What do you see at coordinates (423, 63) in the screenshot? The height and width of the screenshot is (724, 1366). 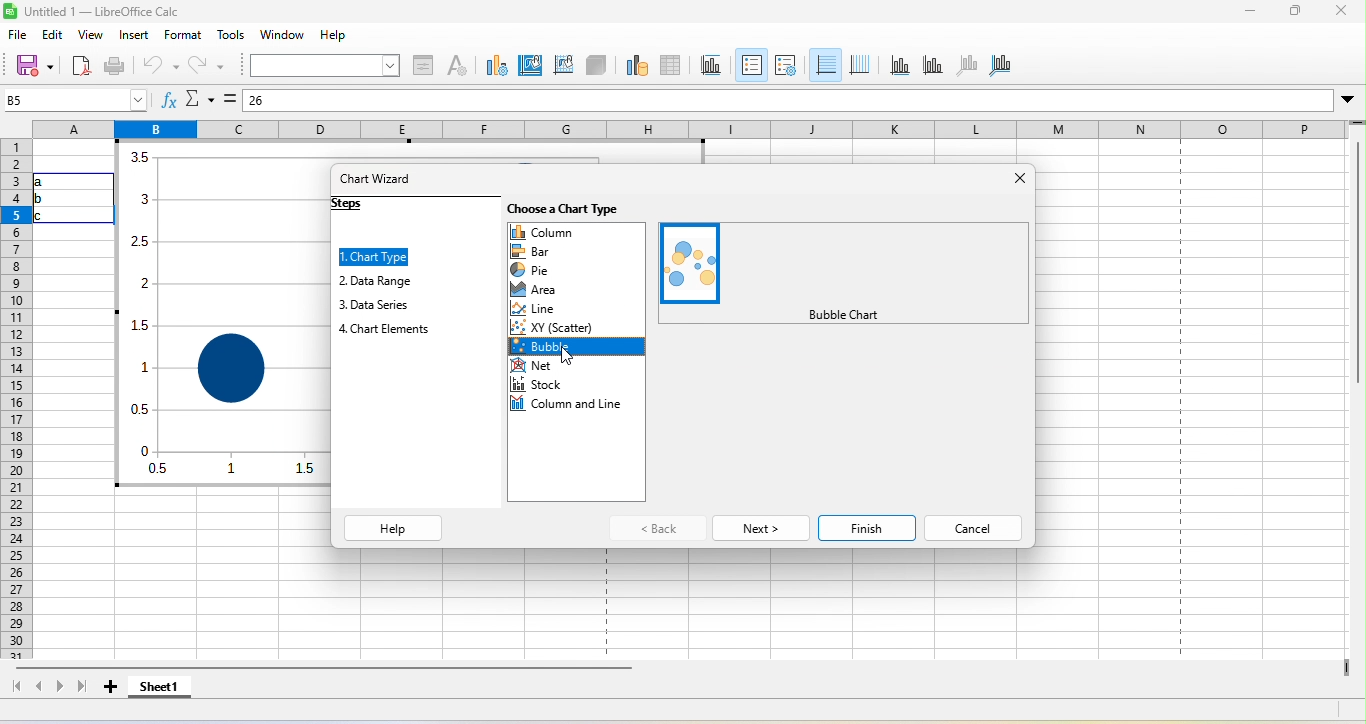 I see `format selection` at bounding box center [423, 63].